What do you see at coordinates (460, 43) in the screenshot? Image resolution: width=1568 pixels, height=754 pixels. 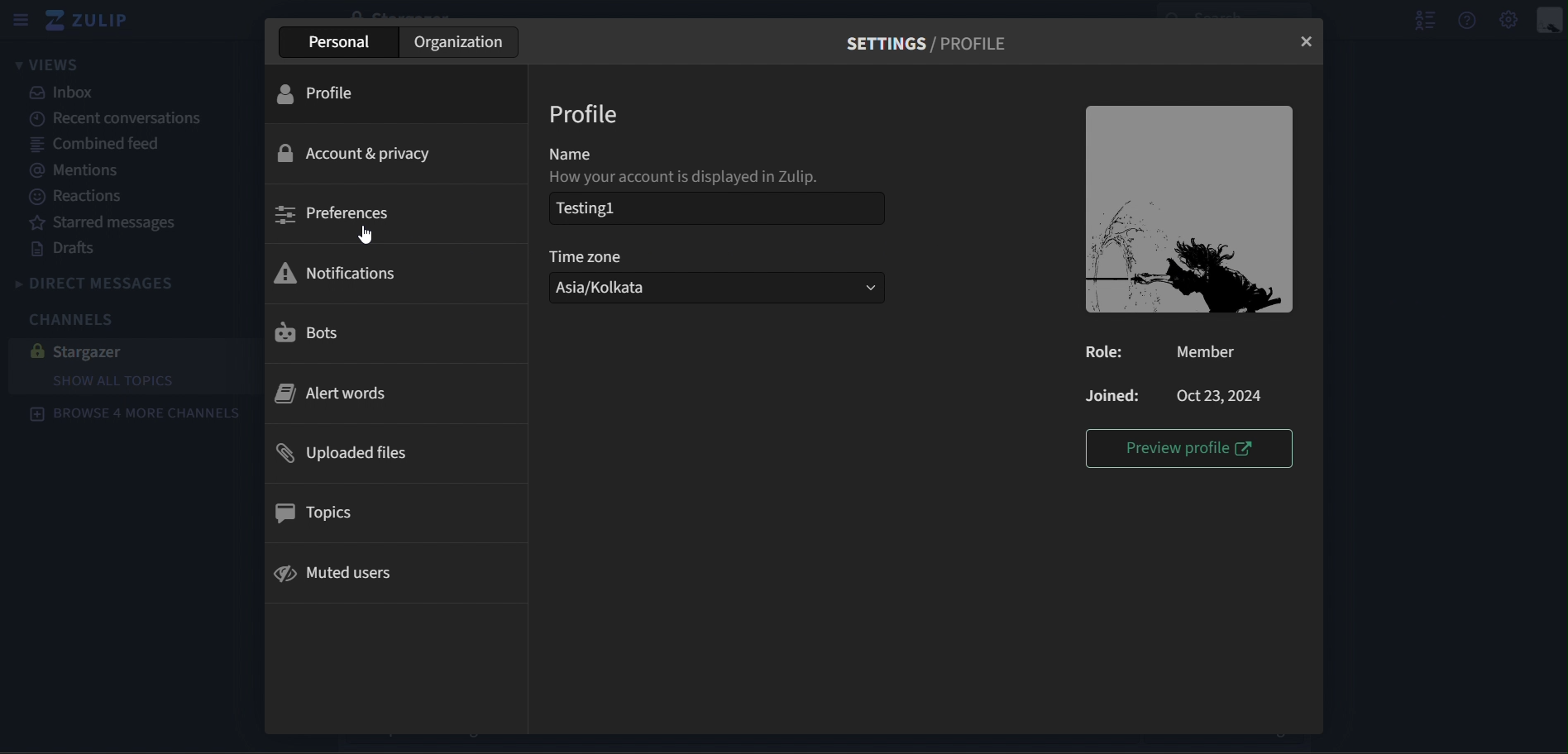 I see `organization` at bounding box center [460, 43].